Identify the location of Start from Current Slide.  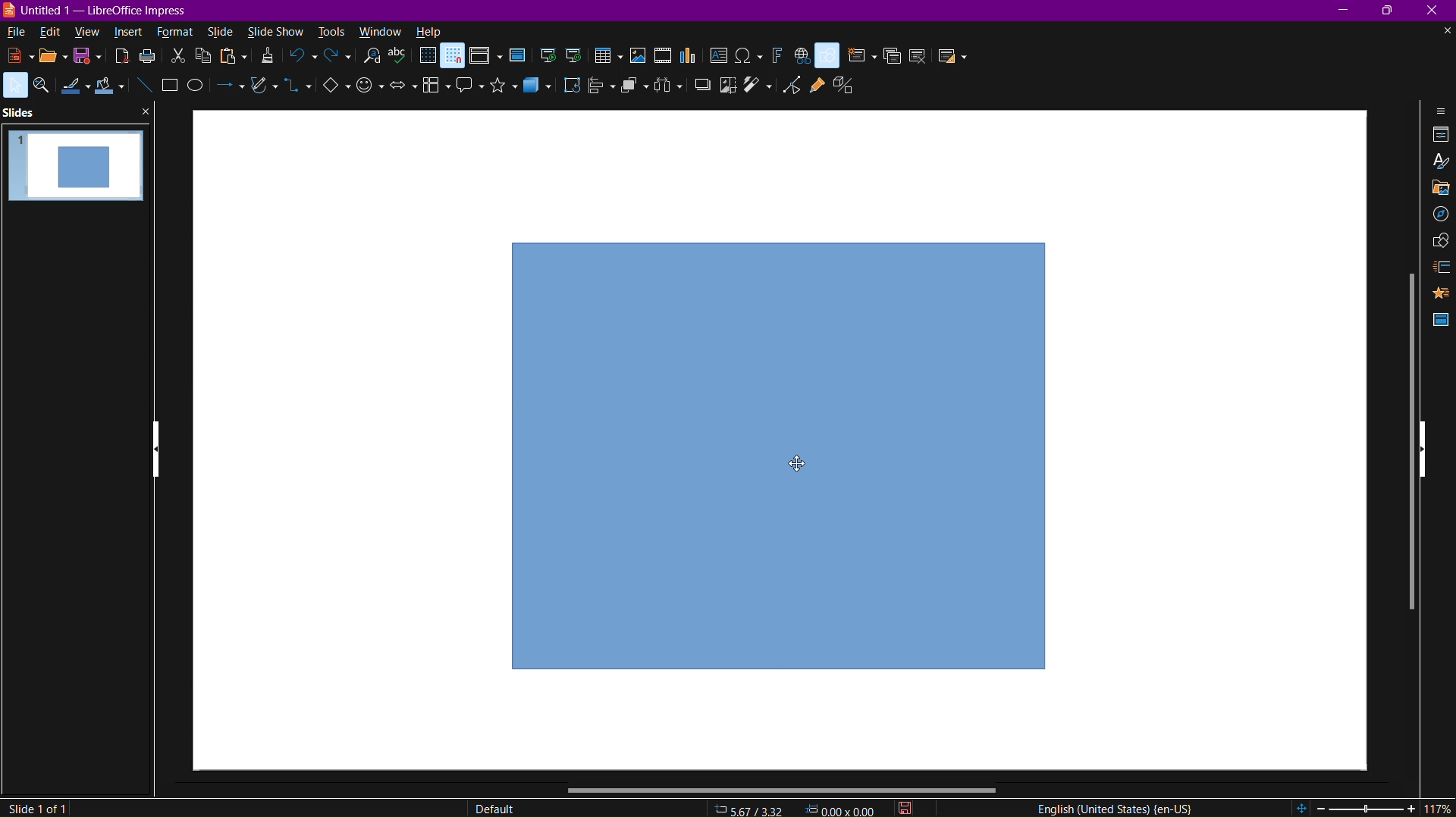
(577, 55).